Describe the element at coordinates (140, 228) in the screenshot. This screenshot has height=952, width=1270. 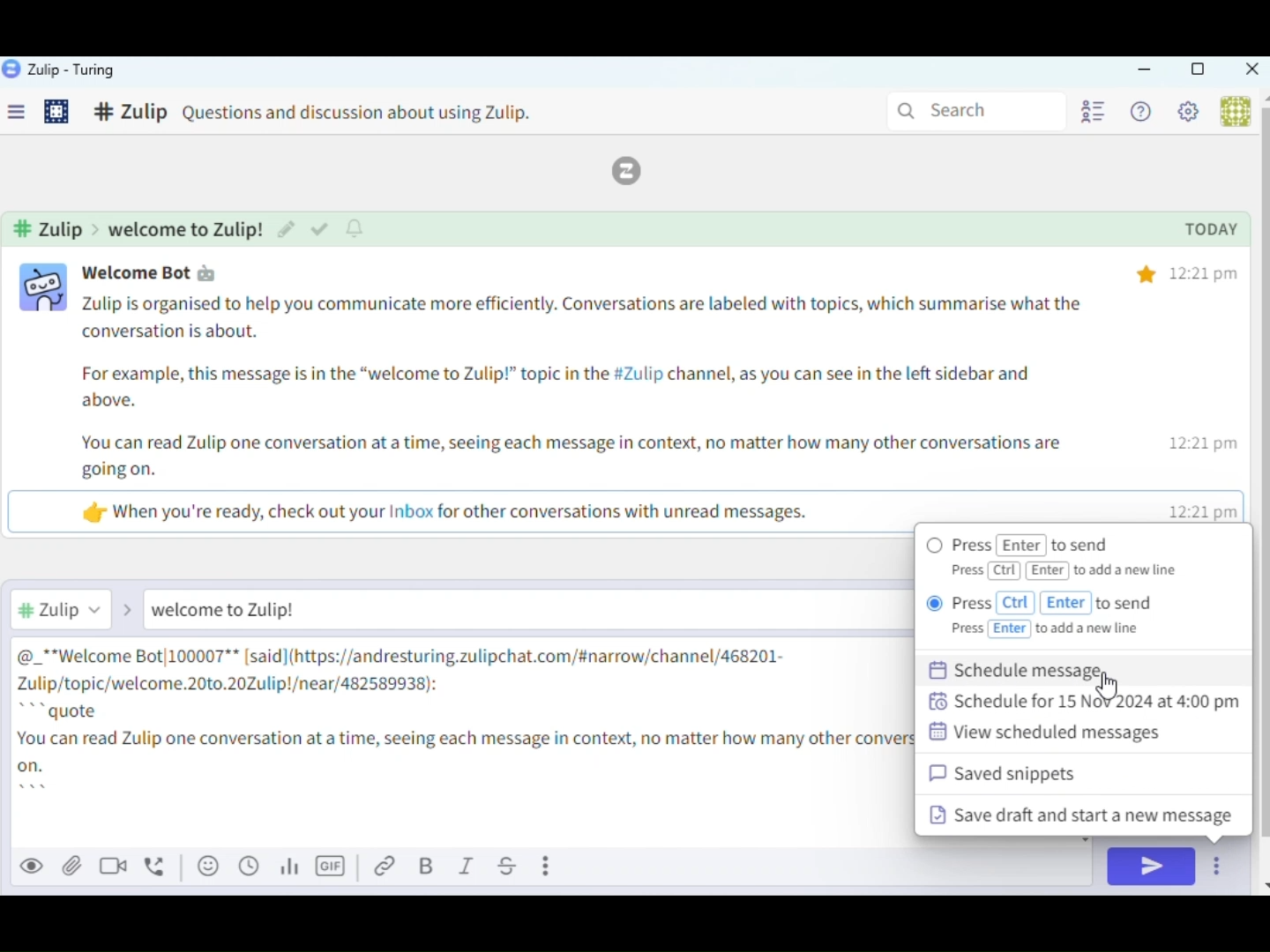
I see `channel` at that location.